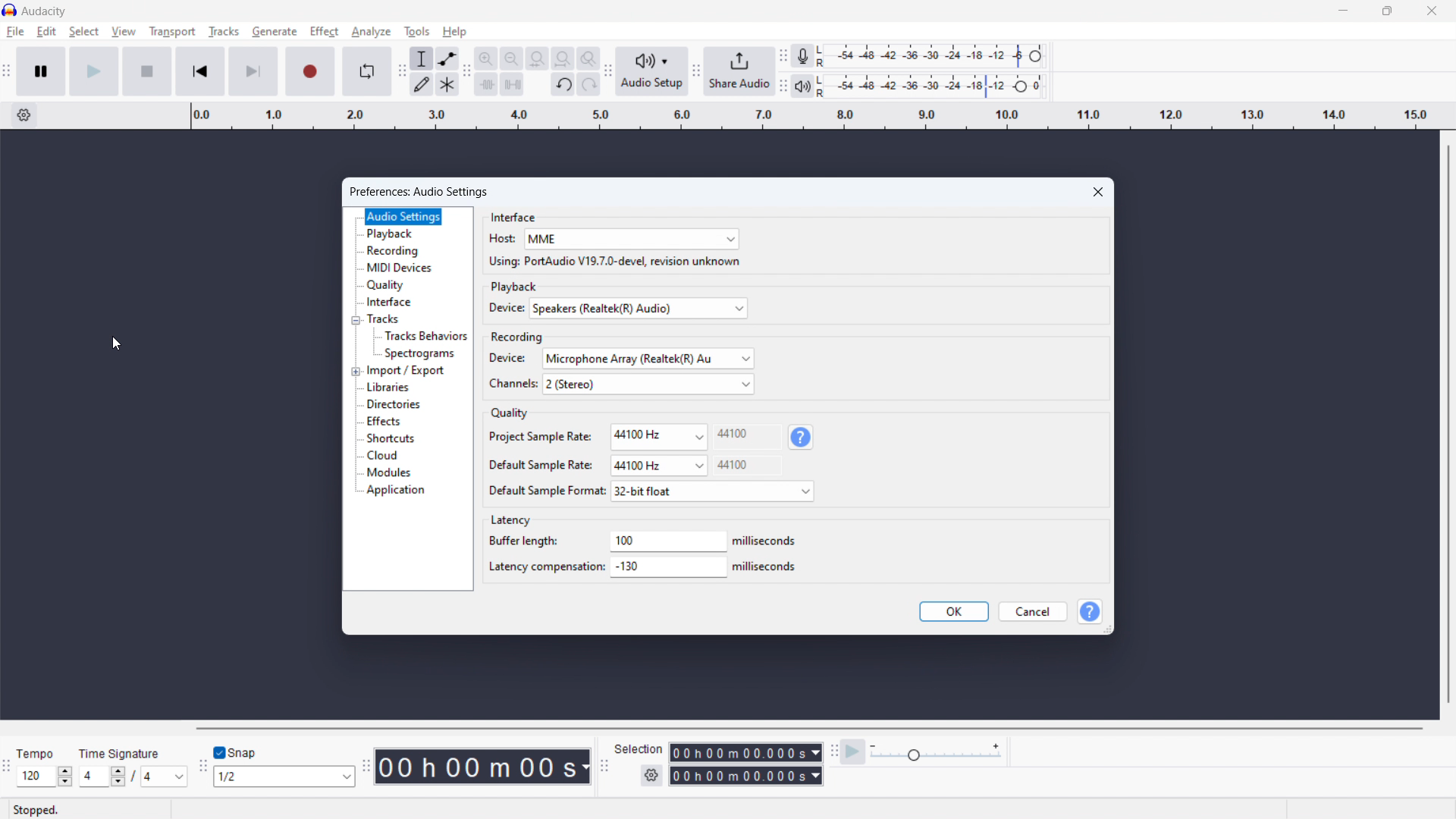  What do you see at coordinates (419, 355) in the screenshot?
I see `spectograms` at bounding box center [419, 355].